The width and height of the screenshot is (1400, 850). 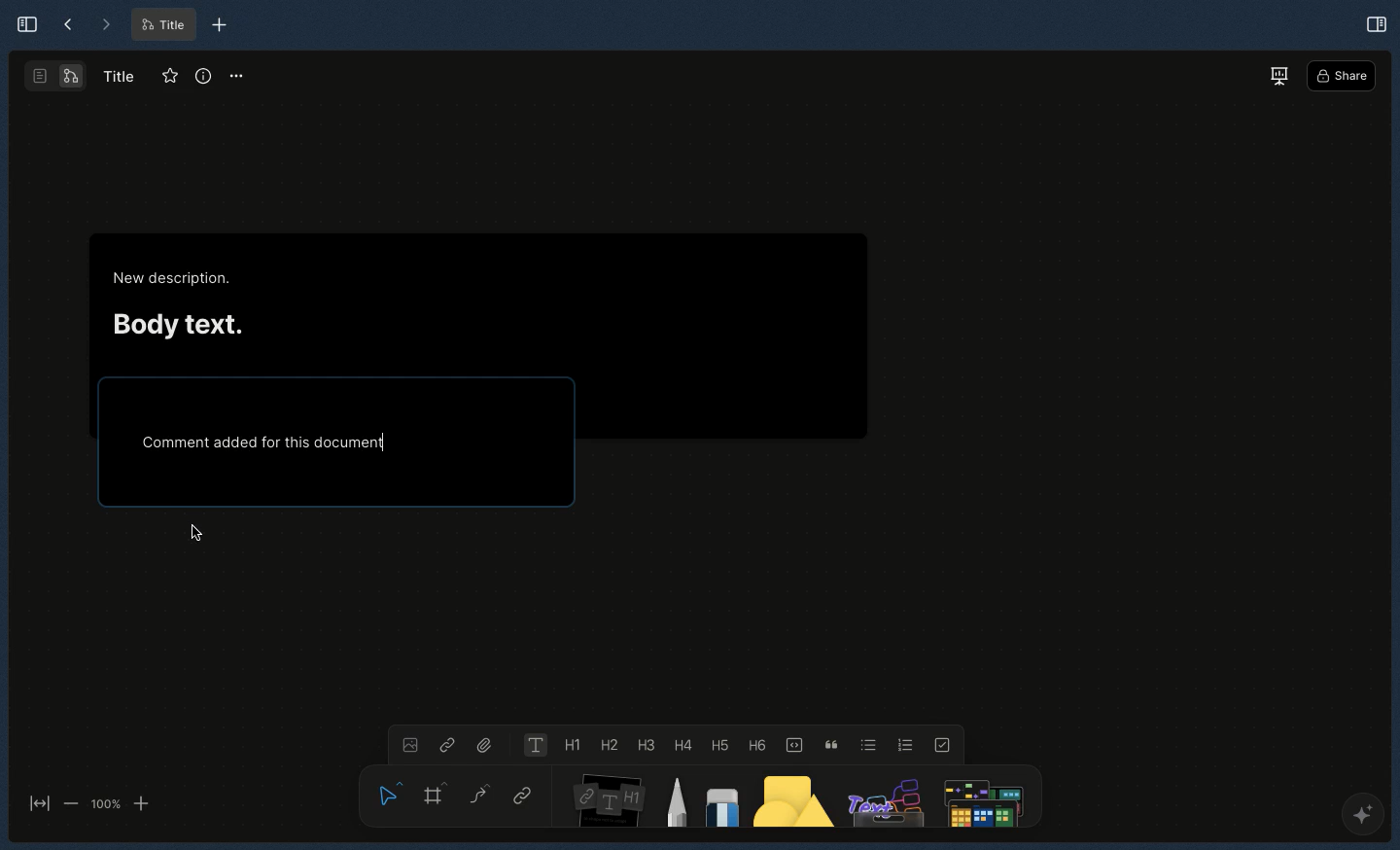 I want to click on Link, so click(x=447, y=744).